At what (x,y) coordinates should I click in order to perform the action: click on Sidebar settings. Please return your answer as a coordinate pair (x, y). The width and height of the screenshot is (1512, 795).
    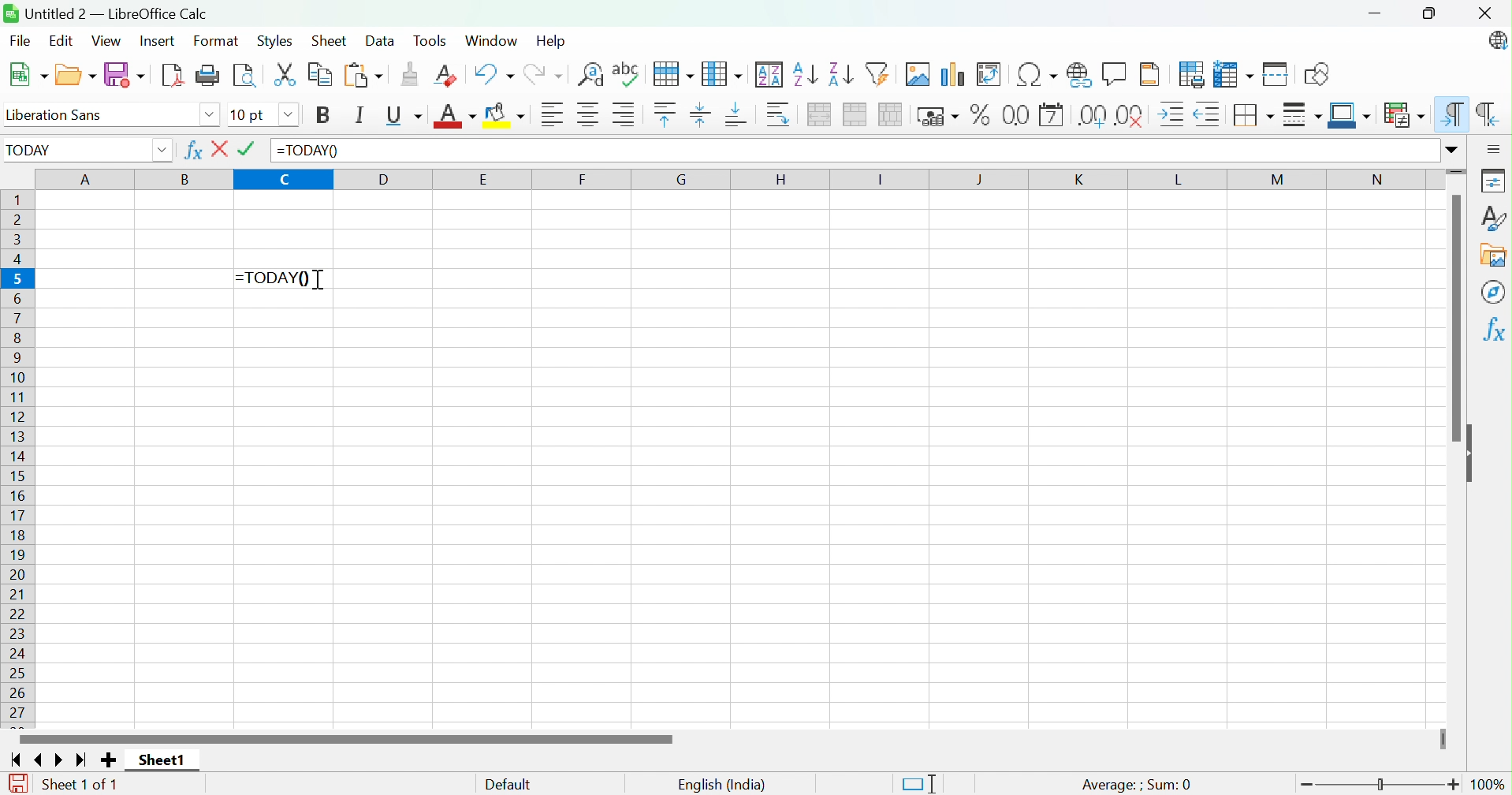
    Looking at the image, I should click on (1495, 150).